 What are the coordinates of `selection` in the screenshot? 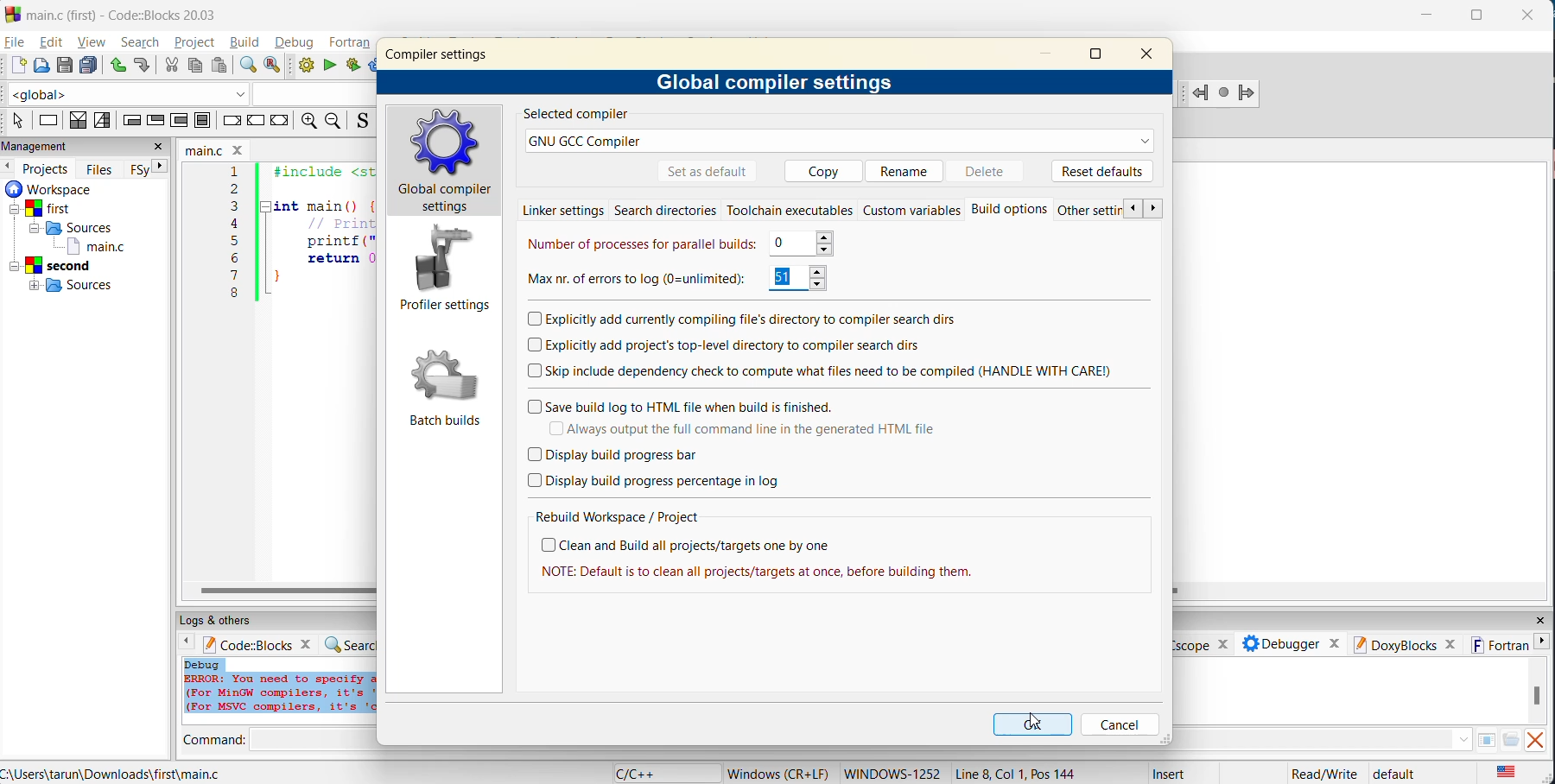 It's located at (101, 121).